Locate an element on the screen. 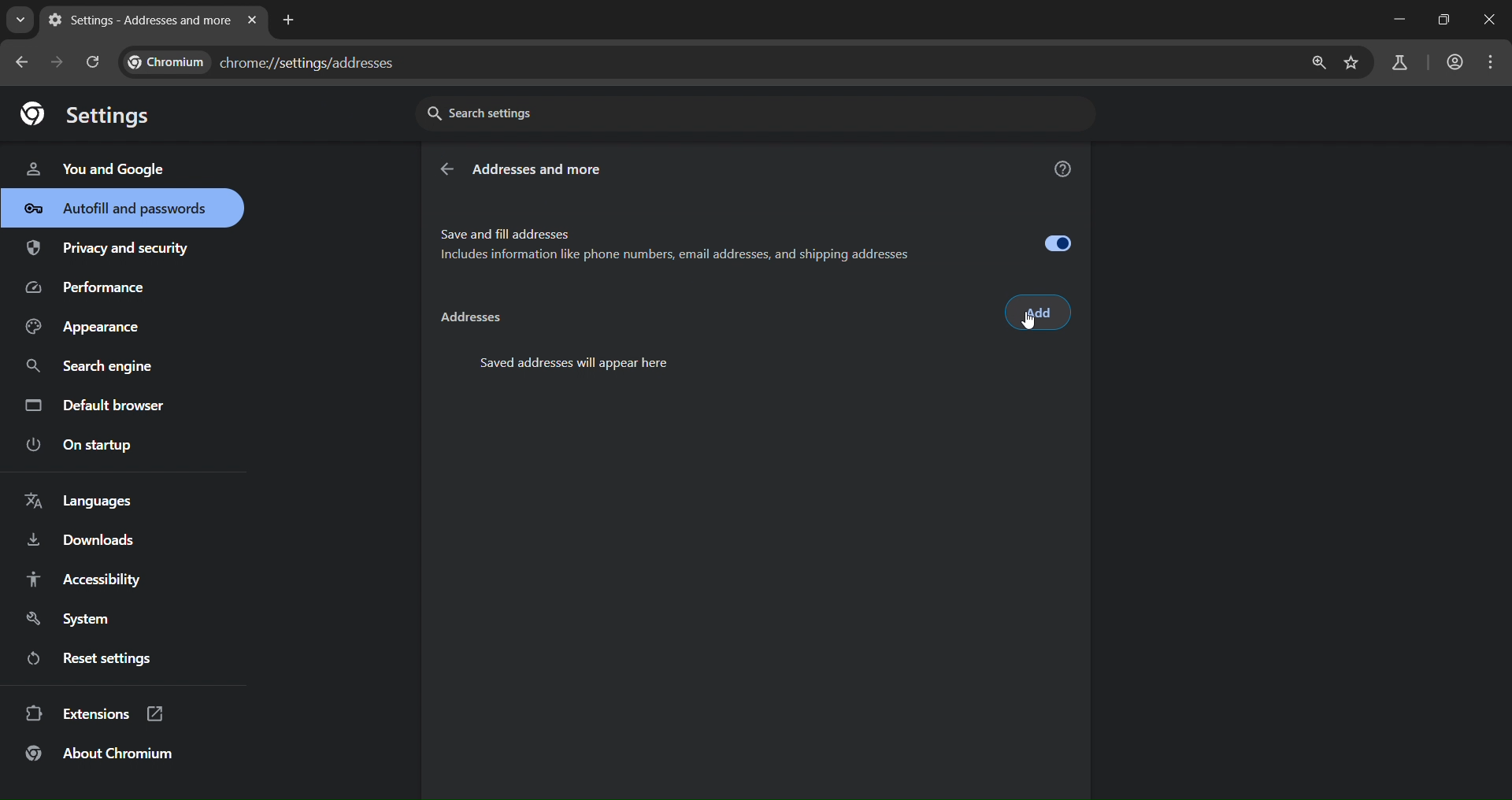 Image resolution: width=1512 pixels, height=800 pixels. zoom is located at coordinates (1314, 63).